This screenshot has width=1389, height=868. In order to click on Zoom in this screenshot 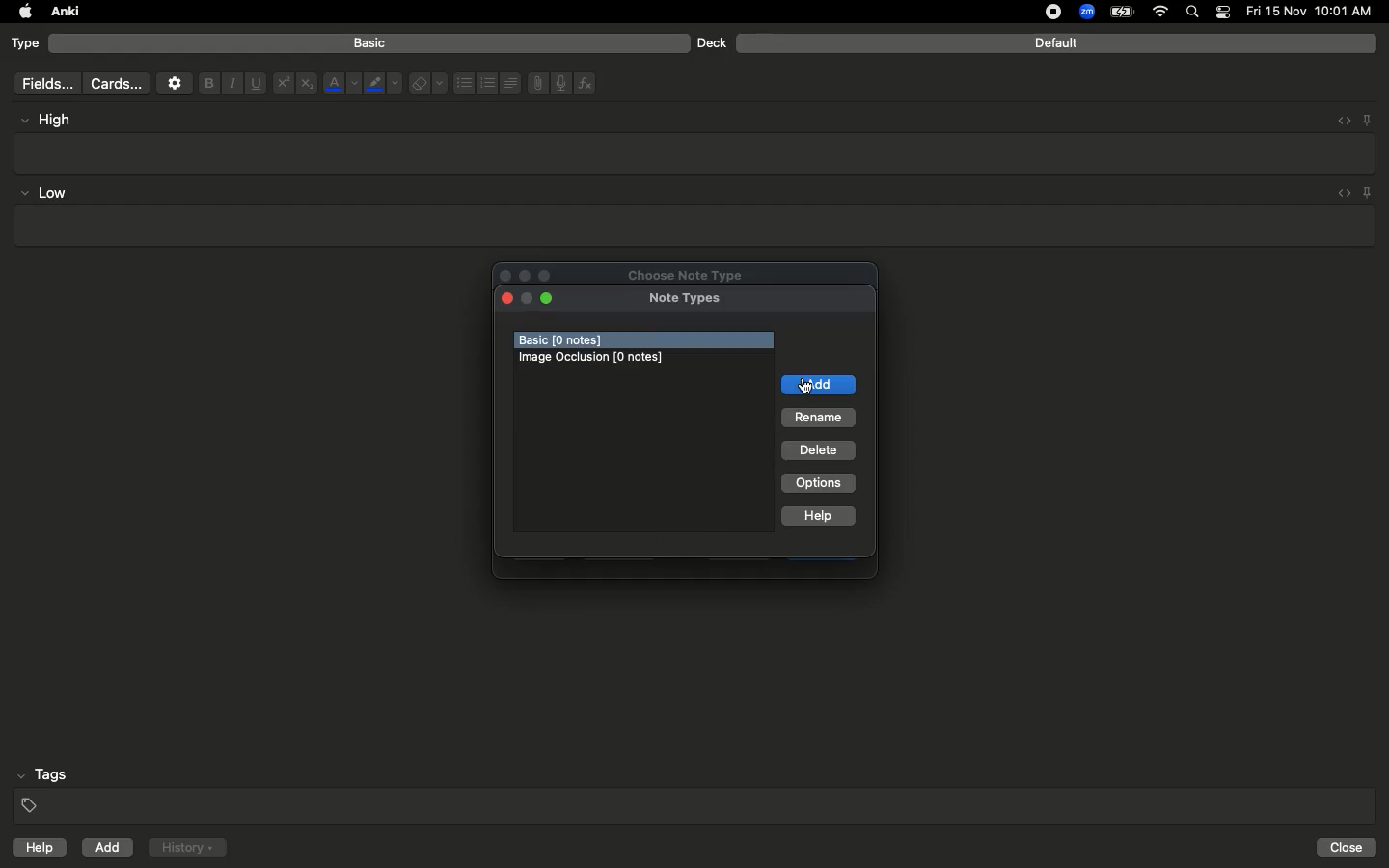, I will do `click(1085, 13)`.